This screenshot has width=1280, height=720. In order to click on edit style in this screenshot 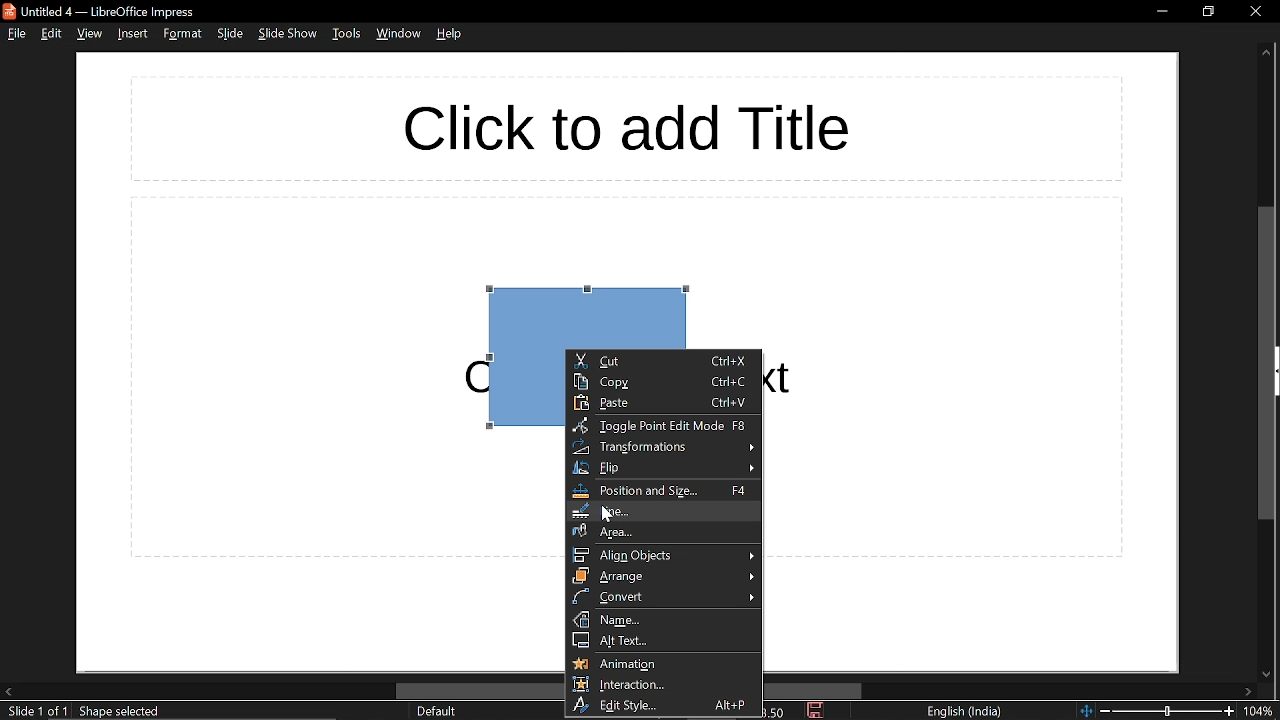, I will do `click(666, 708)`.